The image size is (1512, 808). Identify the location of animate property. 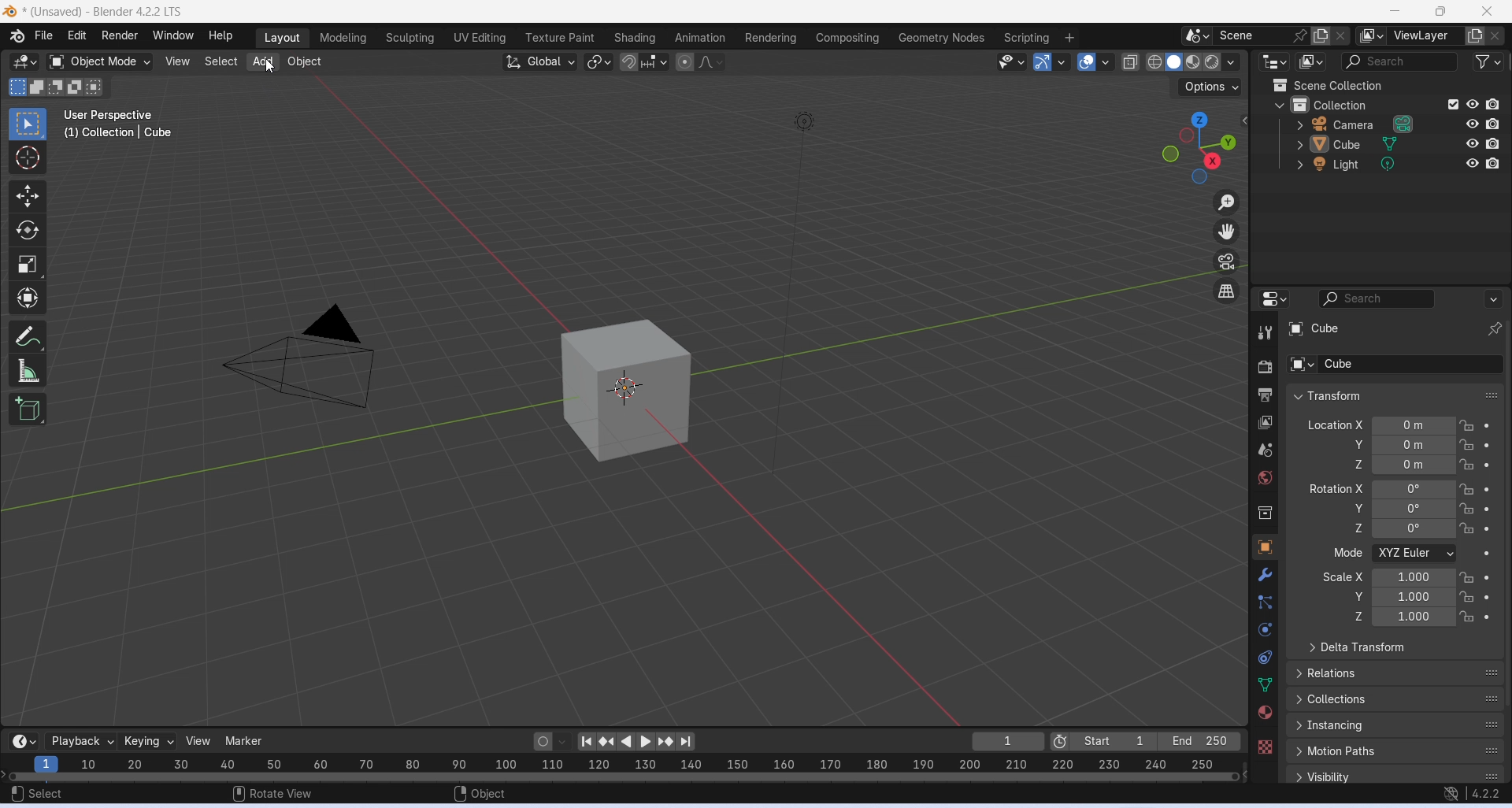
(1488, 597).